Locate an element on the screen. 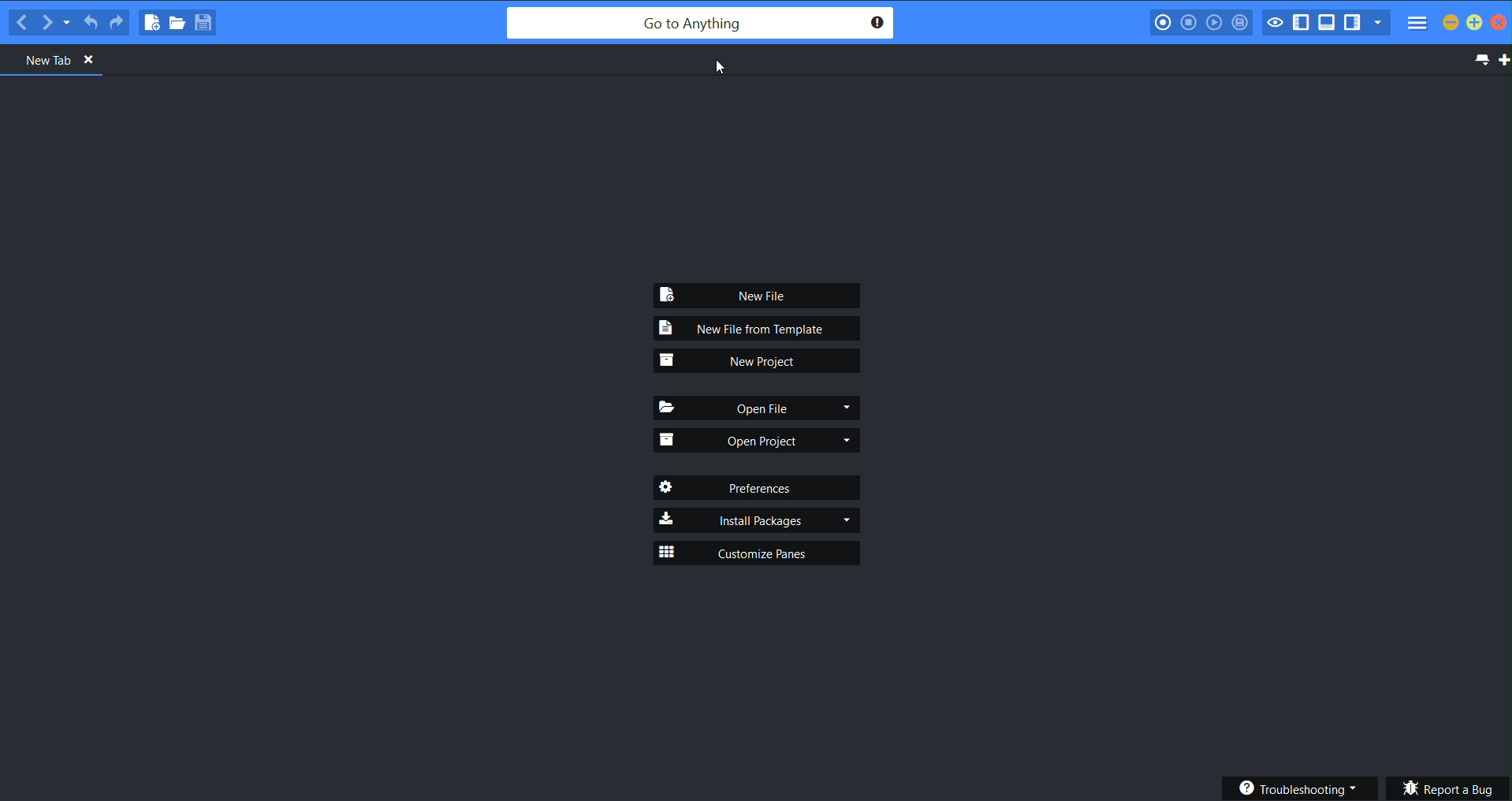  redo is located at coordinates (117, 20).